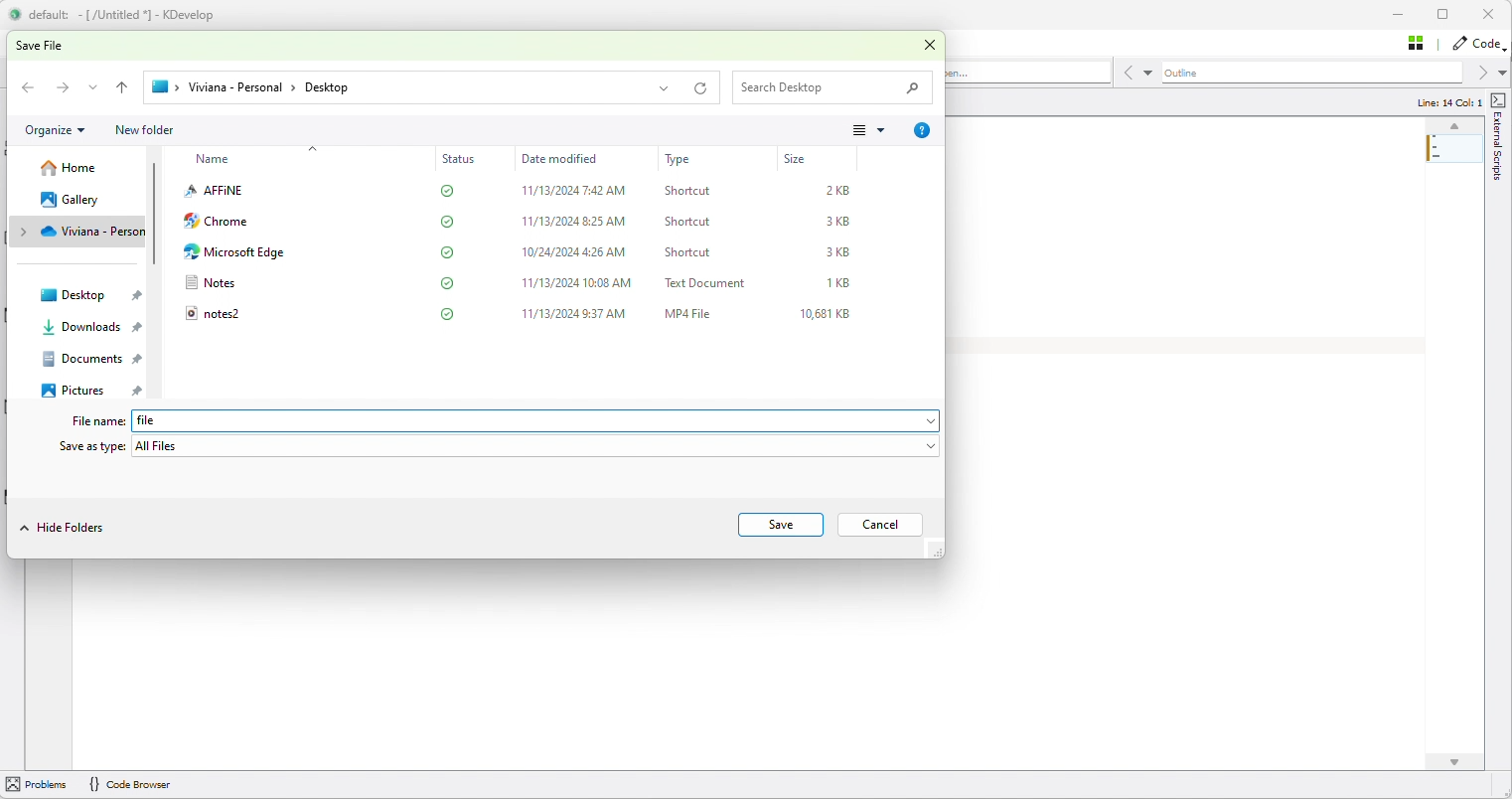  What do you see at coordinates (1455, 172) in the screenshot?
I see `Mini code map` at bounding box center [1455, 172].